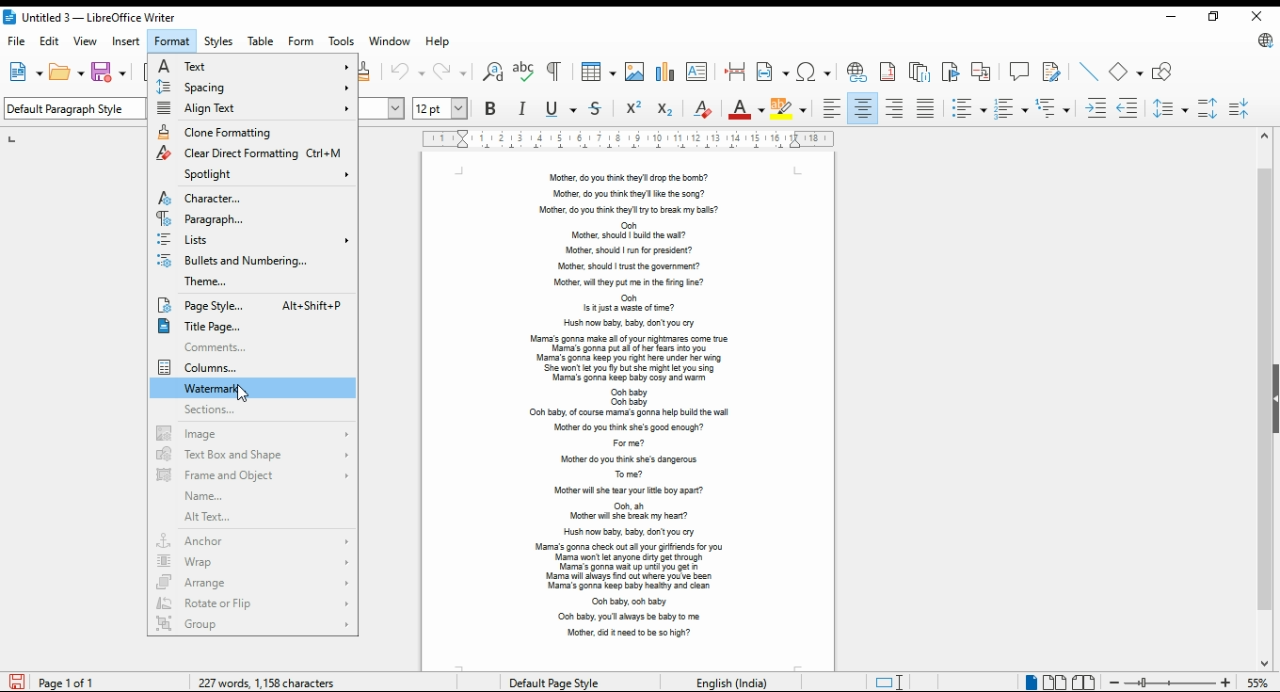 The image size is (1280, 692). What do you see at coordinates (1173, 16) in the screenshot?
I see `minimize` at bounding box center [1173, 16].